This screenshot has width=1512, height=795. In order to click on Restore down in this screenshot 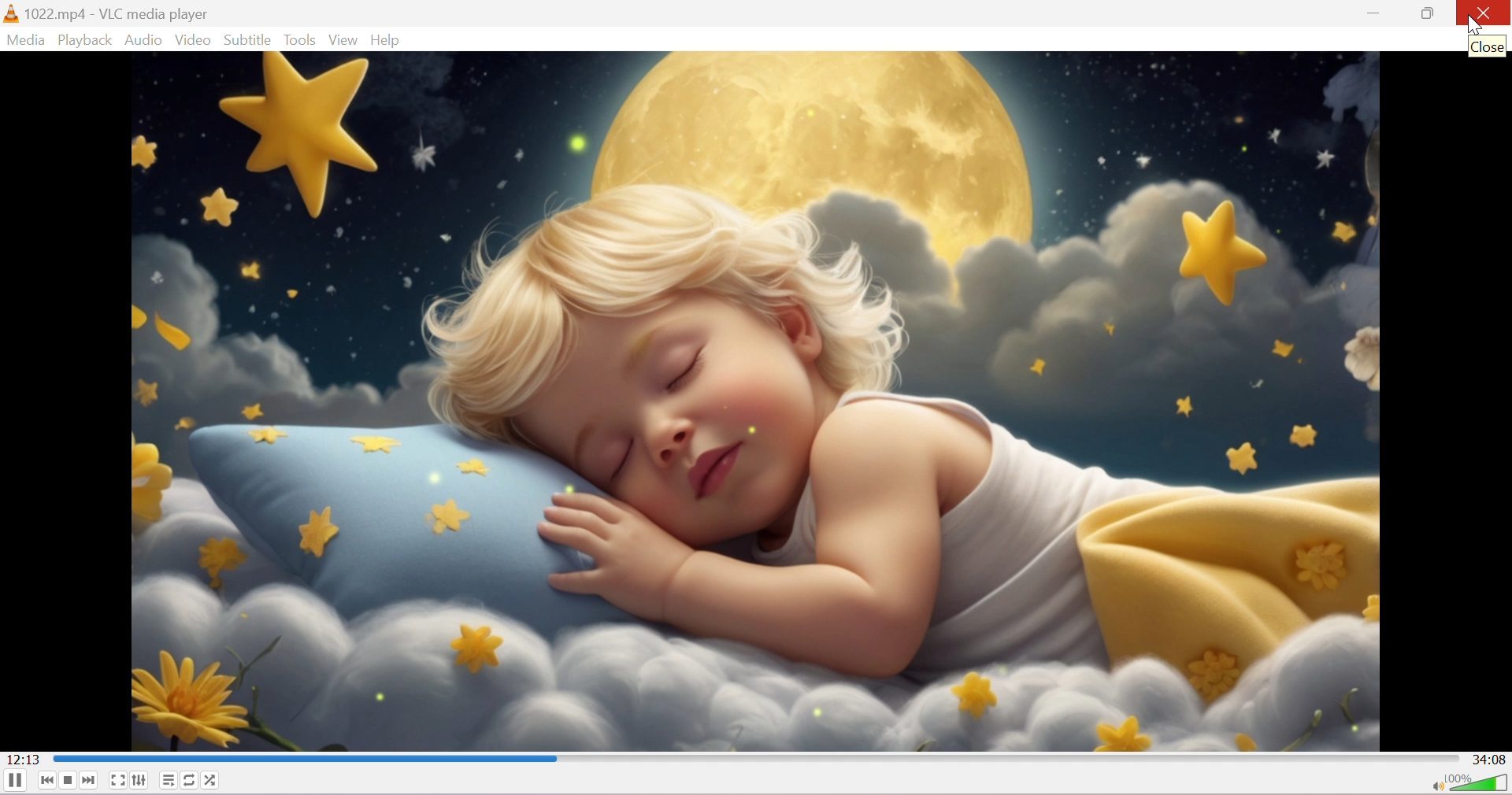, I will do `click(1429, 13)`.